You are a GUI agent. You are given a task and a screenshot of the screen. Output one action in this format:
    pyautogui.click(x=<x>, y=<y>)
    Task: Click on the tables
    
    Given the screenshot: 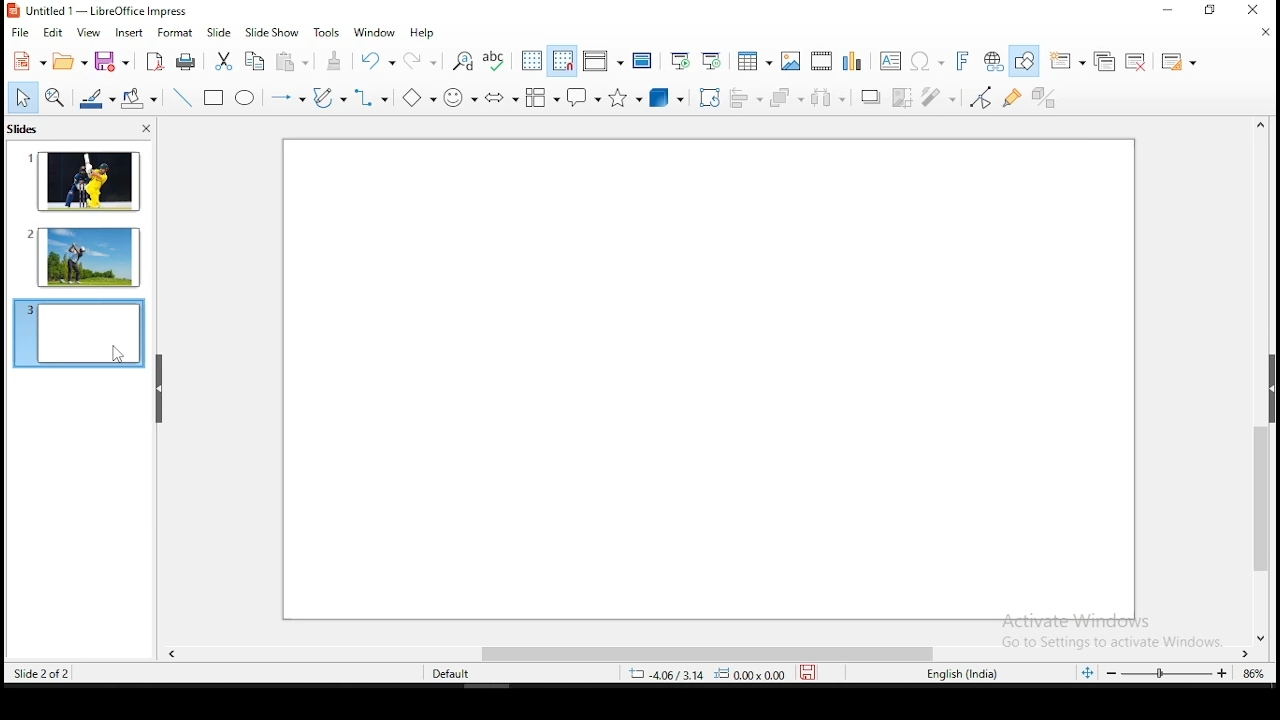 What is the action you would take?
    pyautogui.click(x=752, y=59)
    